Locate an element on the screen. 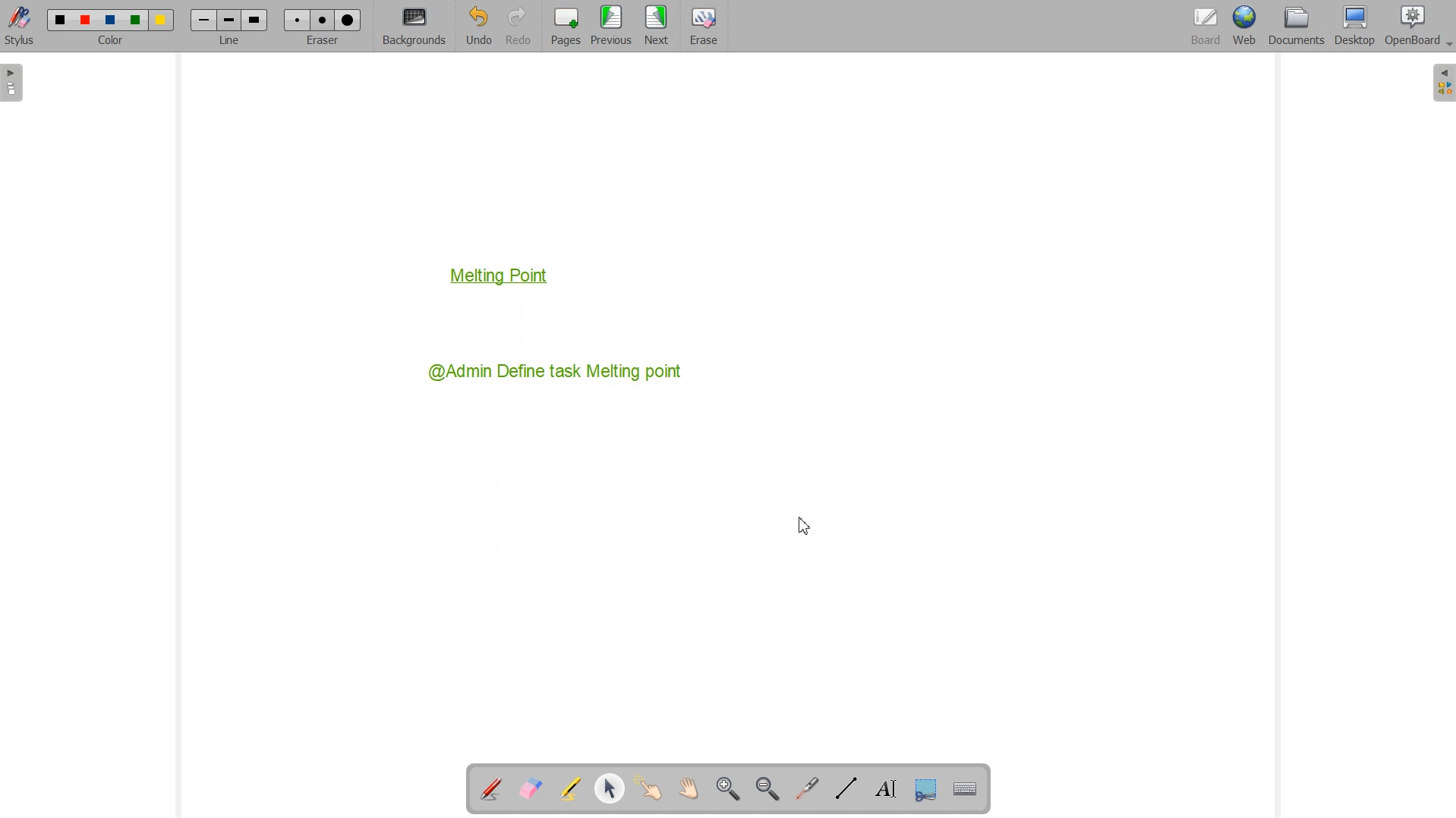 The width and height of the screenshot is (1456, 818). Highlight is located at coordinates (572, 790).